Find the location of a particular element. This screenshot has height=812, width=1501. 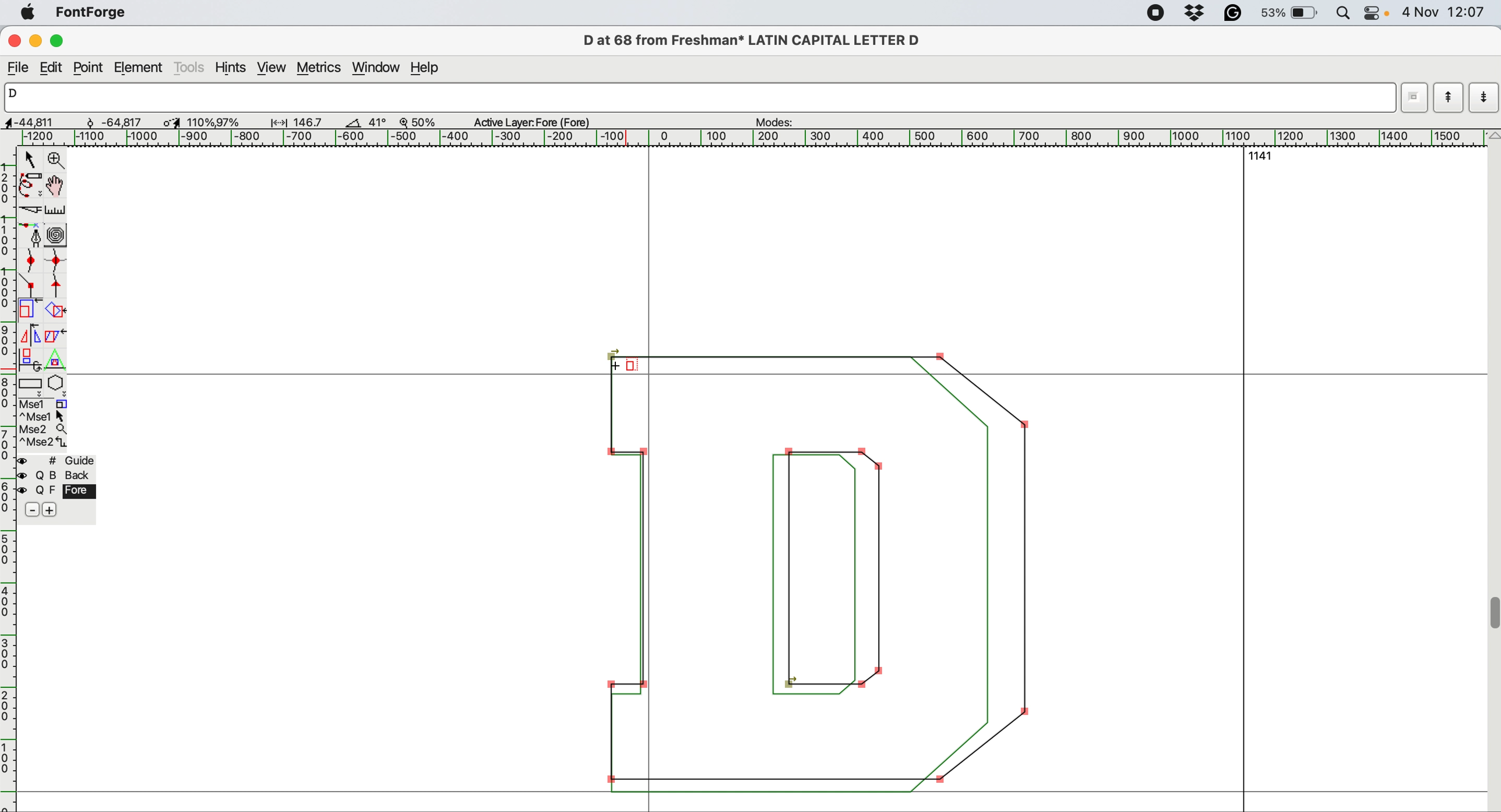

change when spiro is active or not is located at coordinates (57, 236).